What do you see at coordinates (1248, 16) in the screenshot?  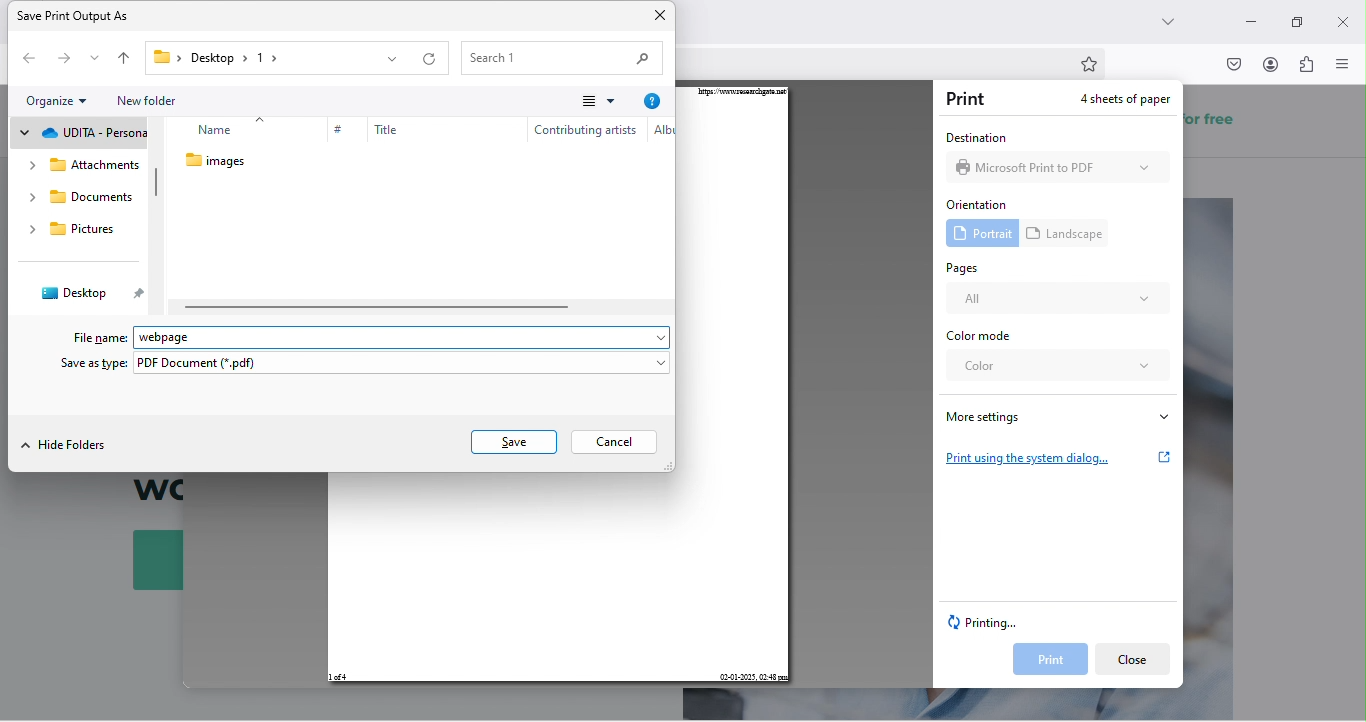 I see `minimize` at bounding box center [1248, 16].